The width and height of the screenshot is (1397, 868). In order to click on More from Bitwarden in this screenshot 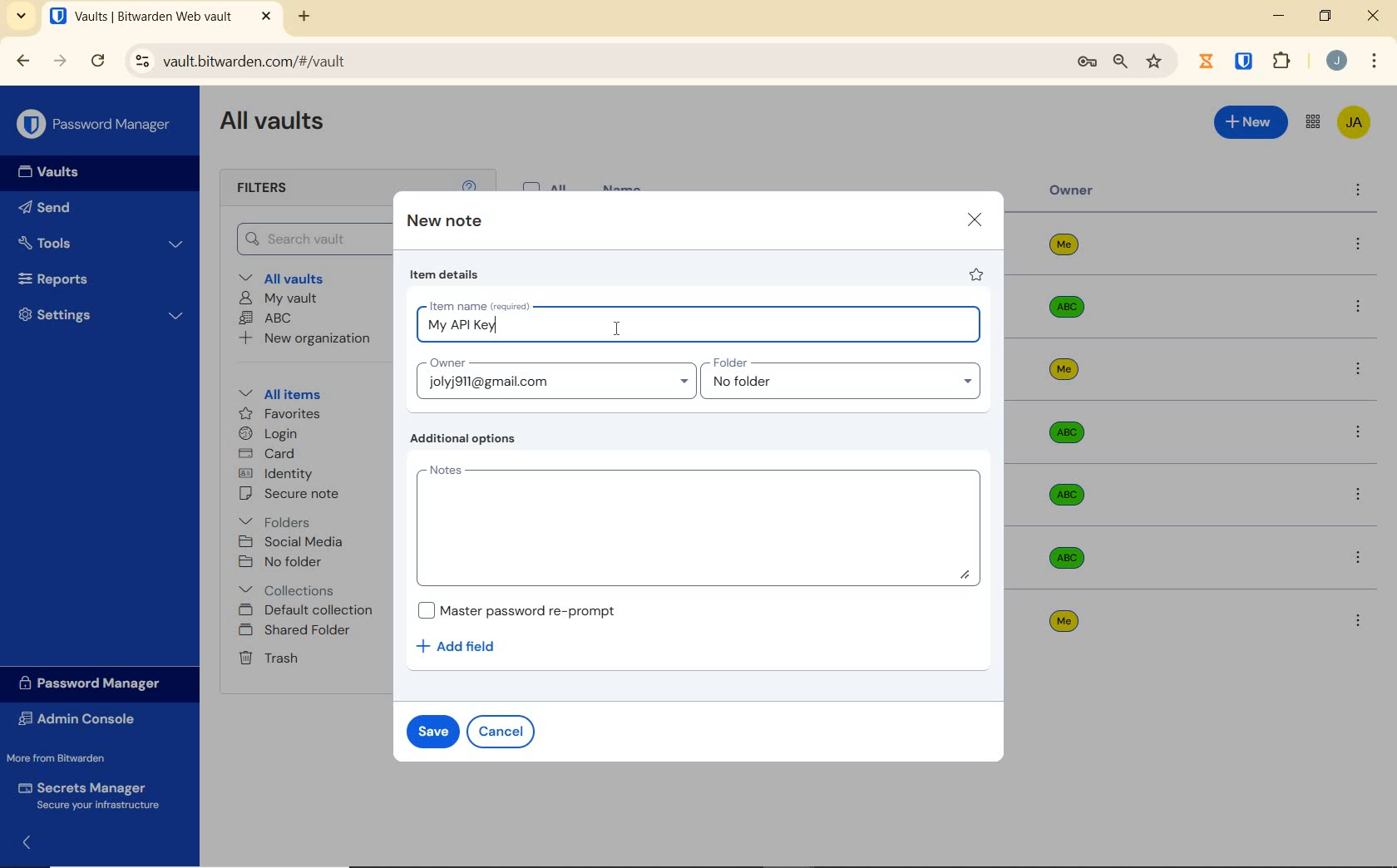, I will do `click(73, 758)`.